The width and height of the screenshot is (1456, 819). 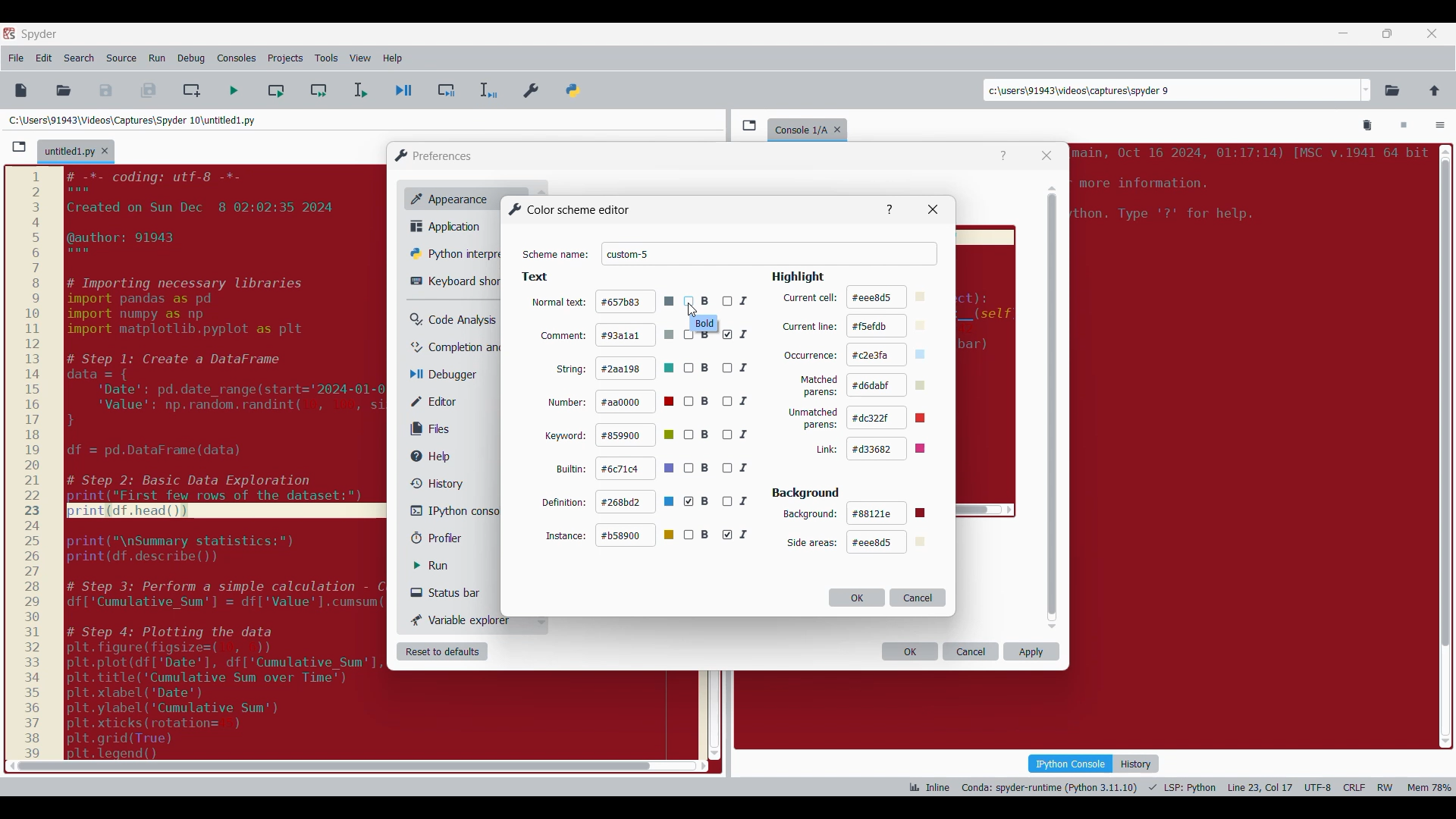 What do you see at coordinates (450, 375) in the screenshot?
I see `Debugger` at bounding box center [450, 375].